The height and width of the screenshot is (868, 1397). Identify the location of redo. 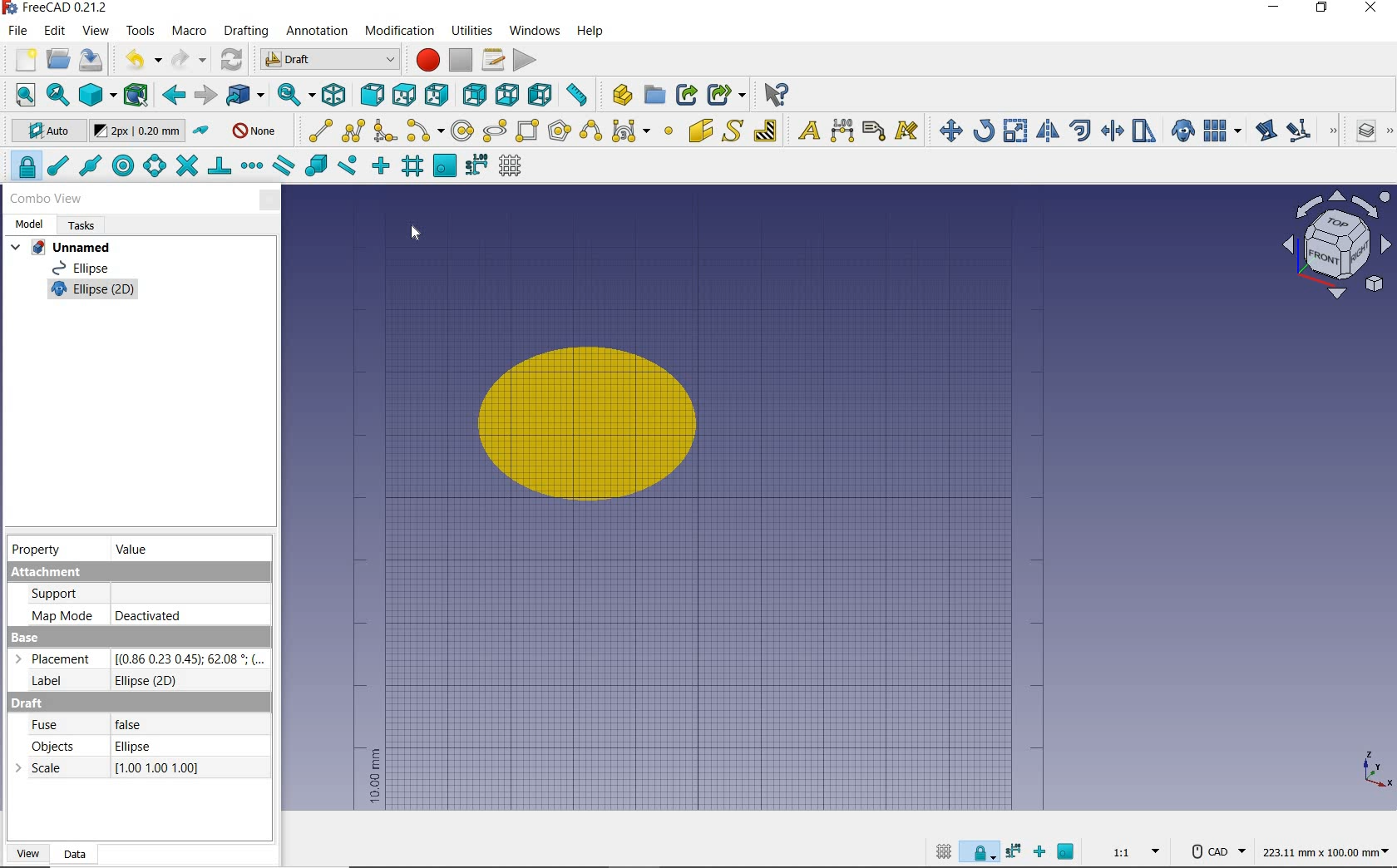
(190, 62).